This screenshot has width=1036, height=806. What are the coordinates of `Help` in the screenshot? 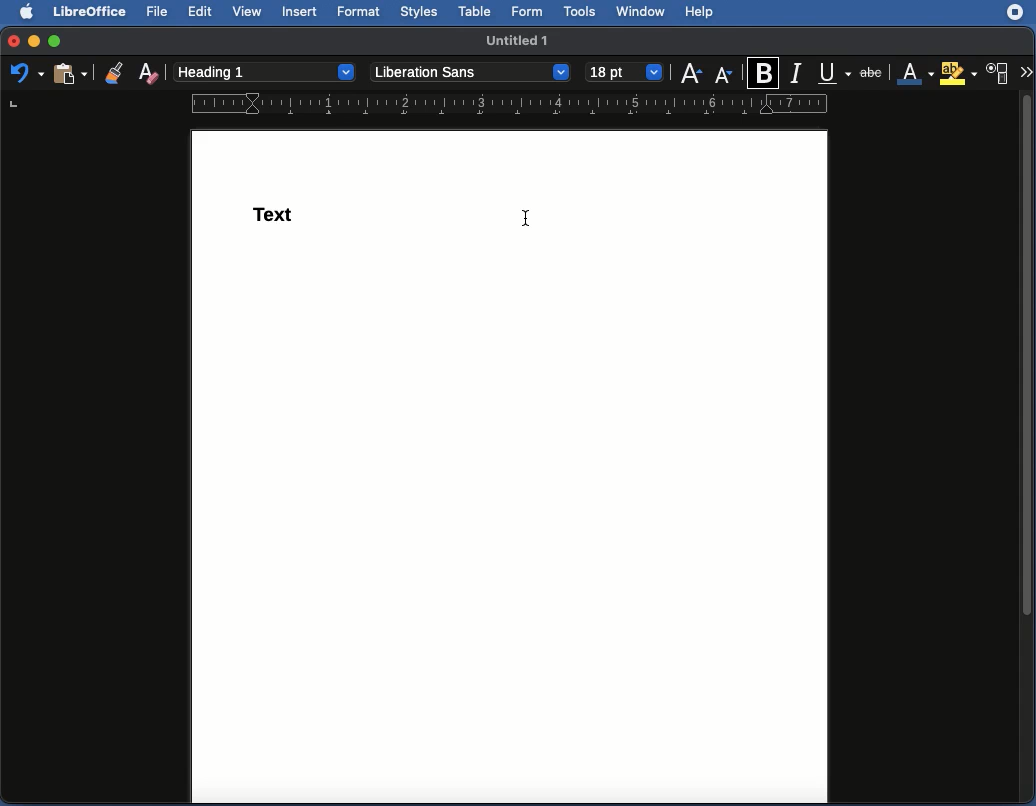 It's located at (701, 11).